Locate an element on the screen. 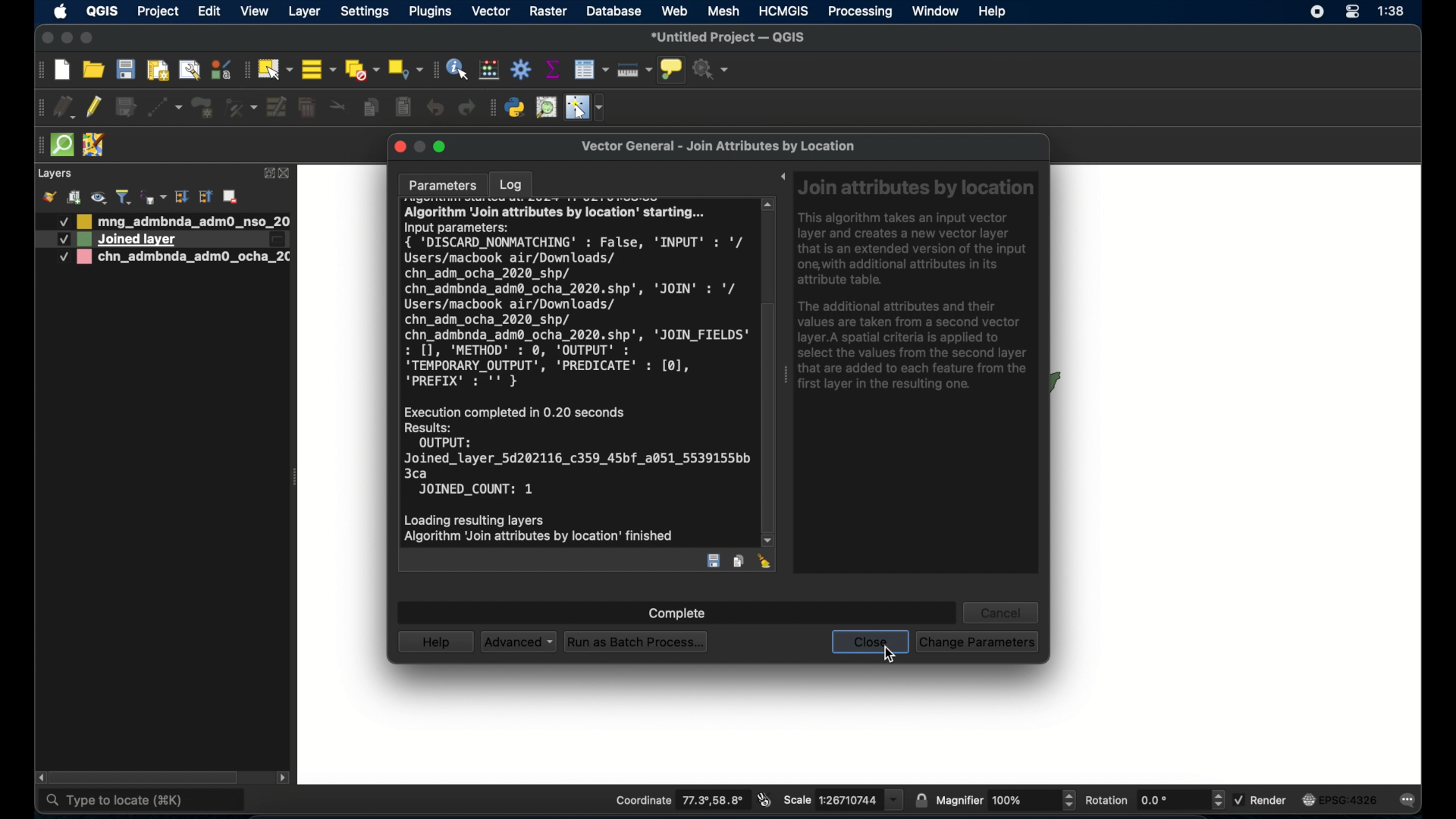 The width and height of the screenshot is (1456, 819). Change parameters is located at coordinates (981, 643).